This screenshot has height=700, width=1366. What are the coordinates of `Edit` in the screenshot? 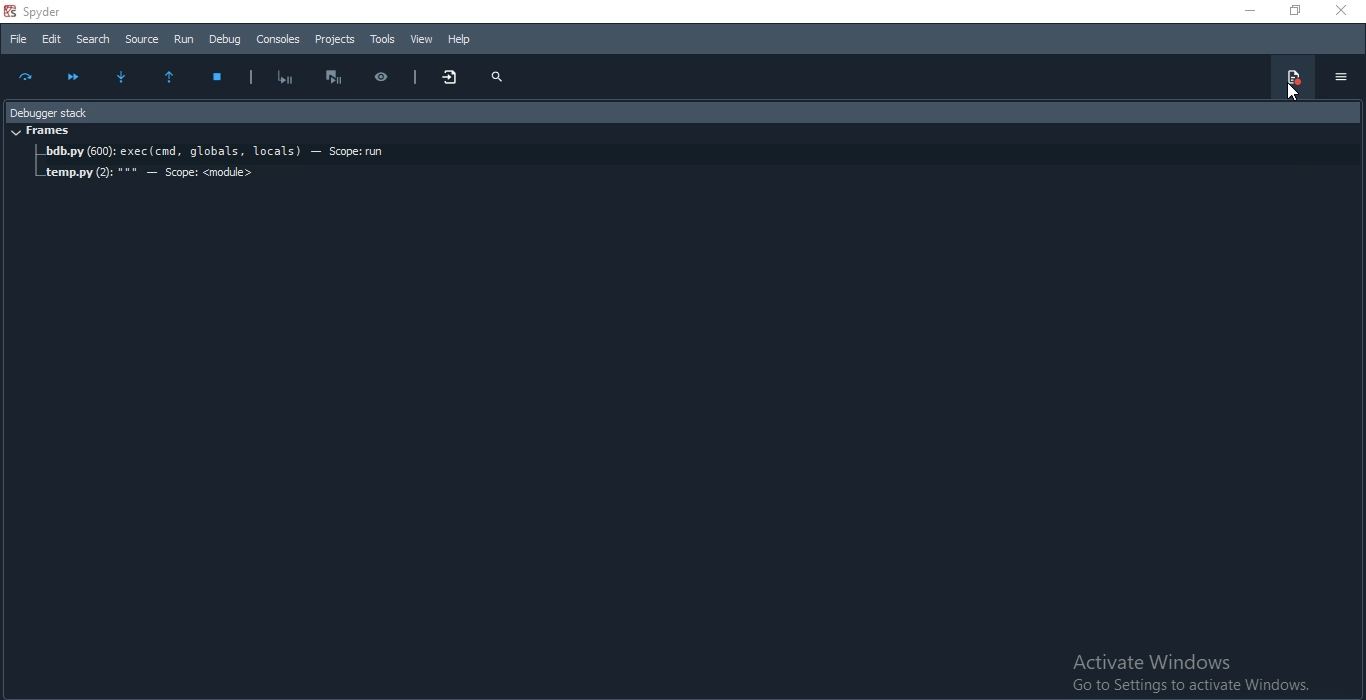 It's located at (50, 40).